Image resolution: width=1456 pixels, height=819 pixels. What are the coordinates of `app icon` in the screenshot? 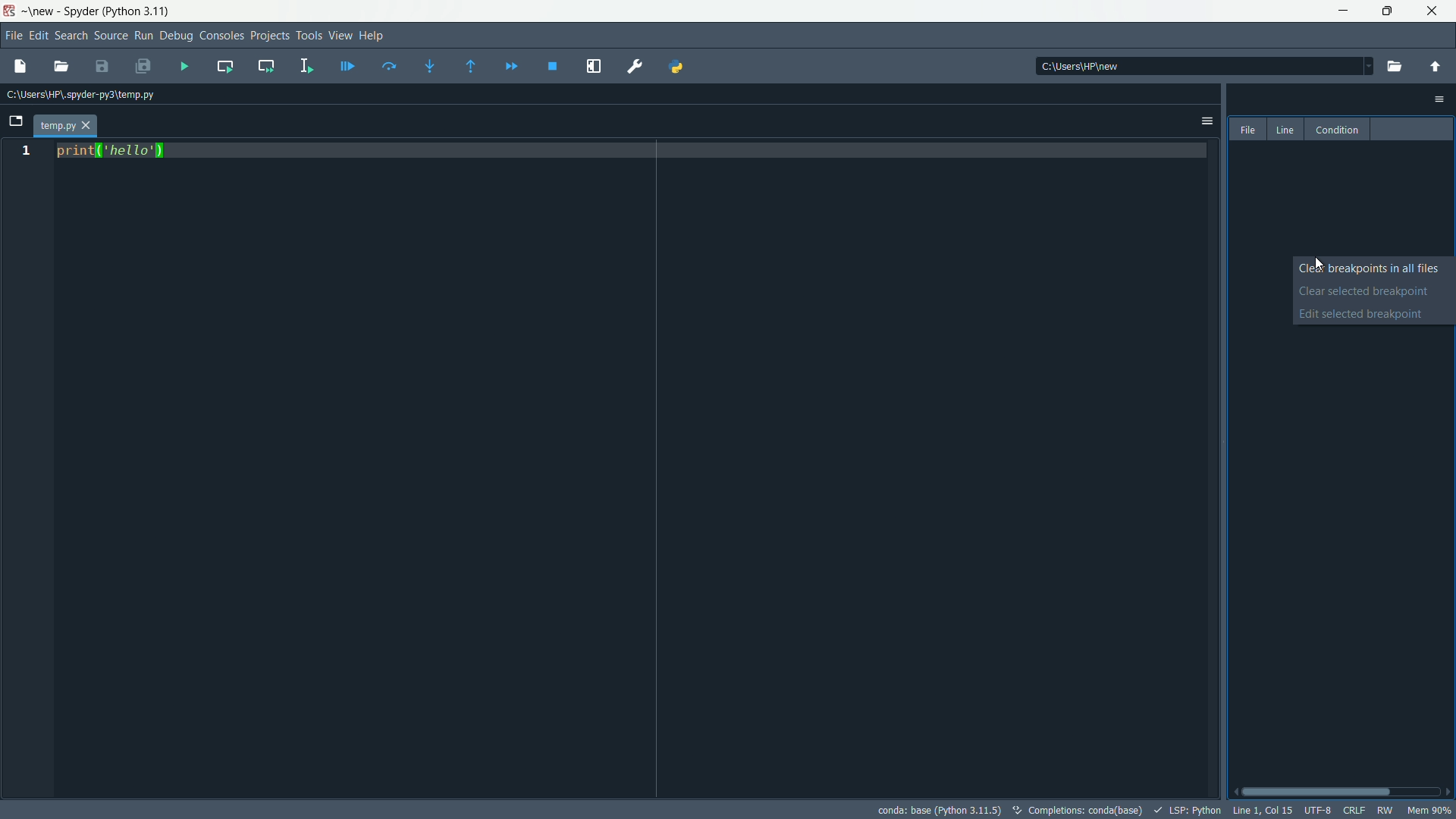 It's located at (9, 11).